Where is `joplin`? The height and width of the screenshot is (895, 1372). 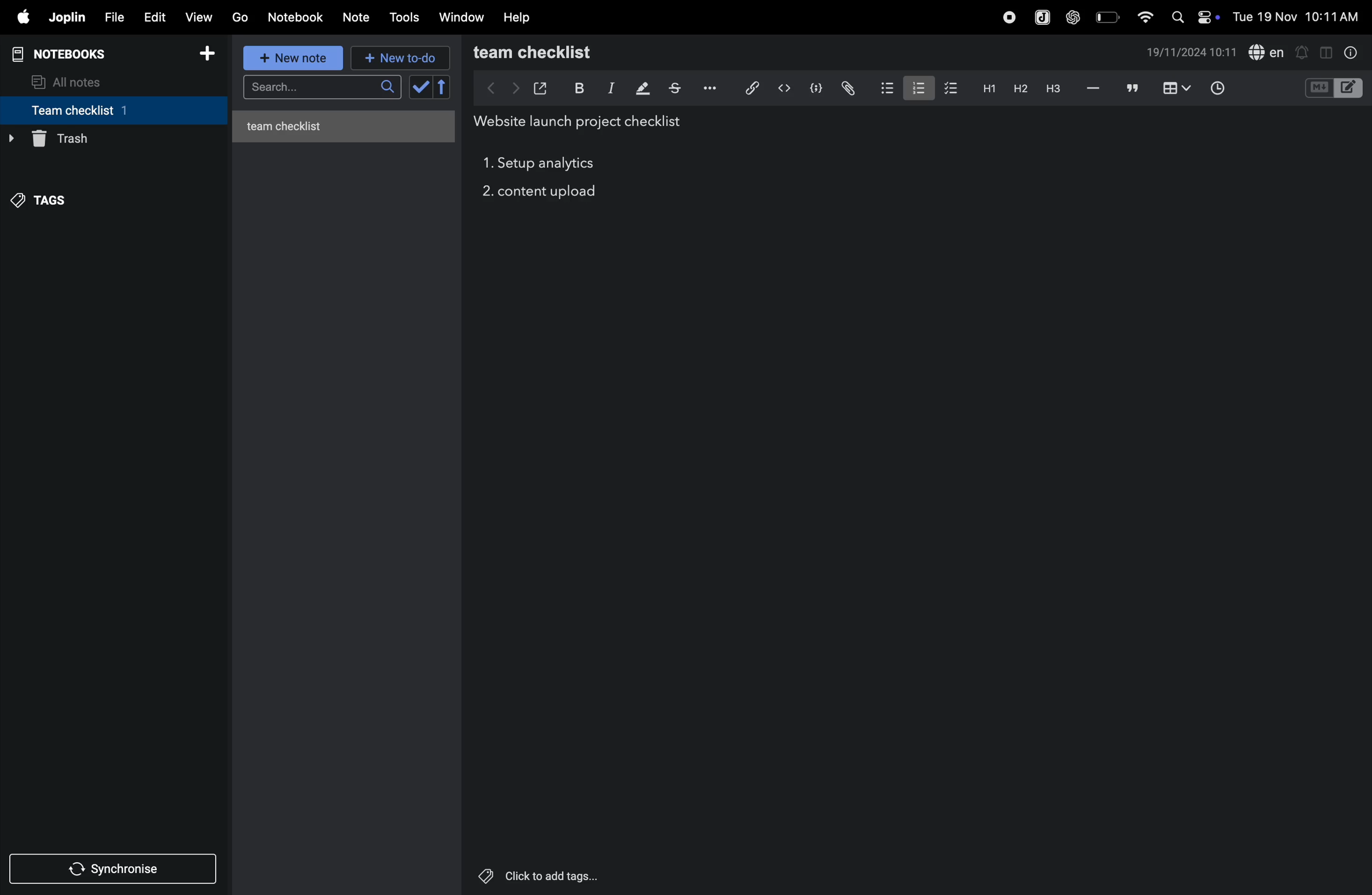
joplin is located at coordinates (1039, 16).